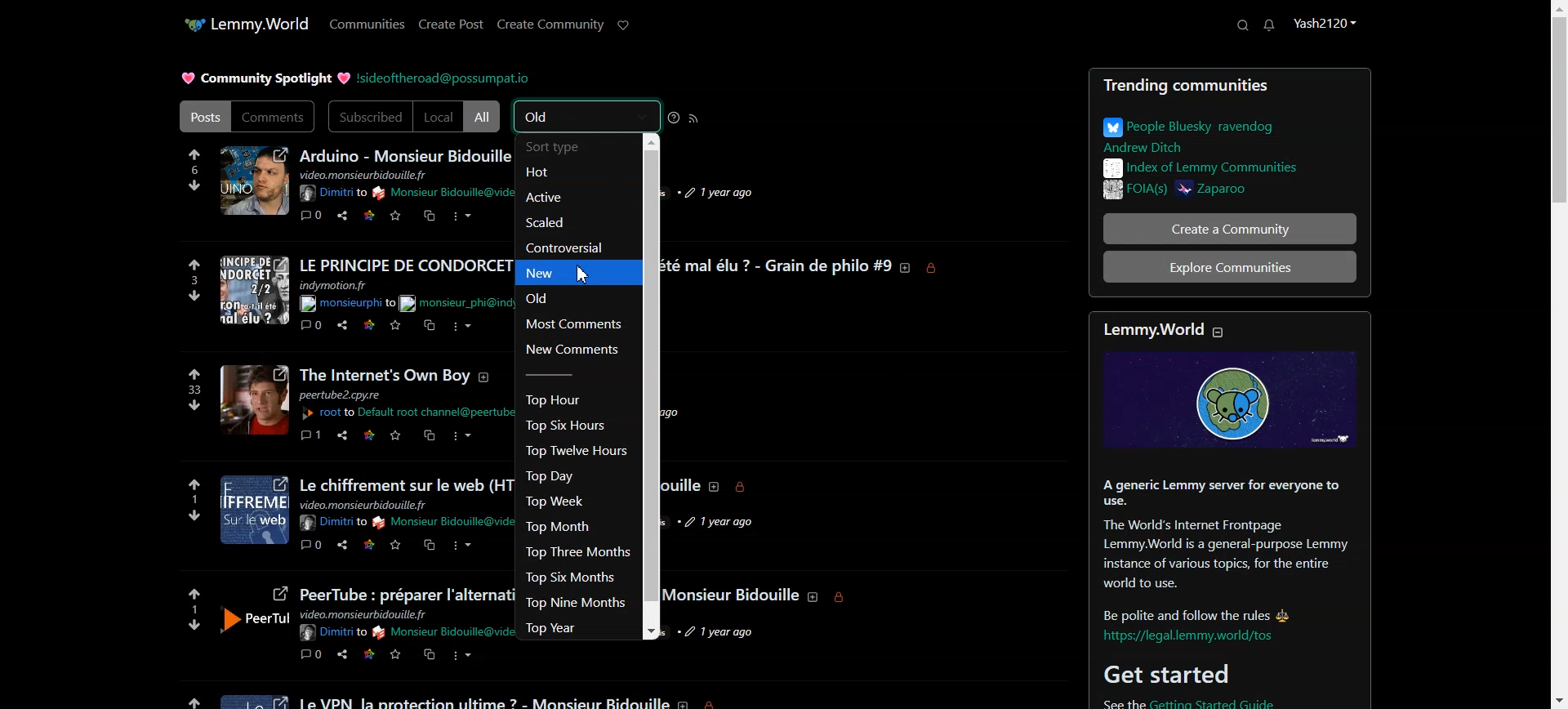 Image resolution: width=1568 pixels, height=709 pixels. What do you see at coordinates (193, 484) in the screenshot?
I see `upvote` at bounding box center [193, 484].